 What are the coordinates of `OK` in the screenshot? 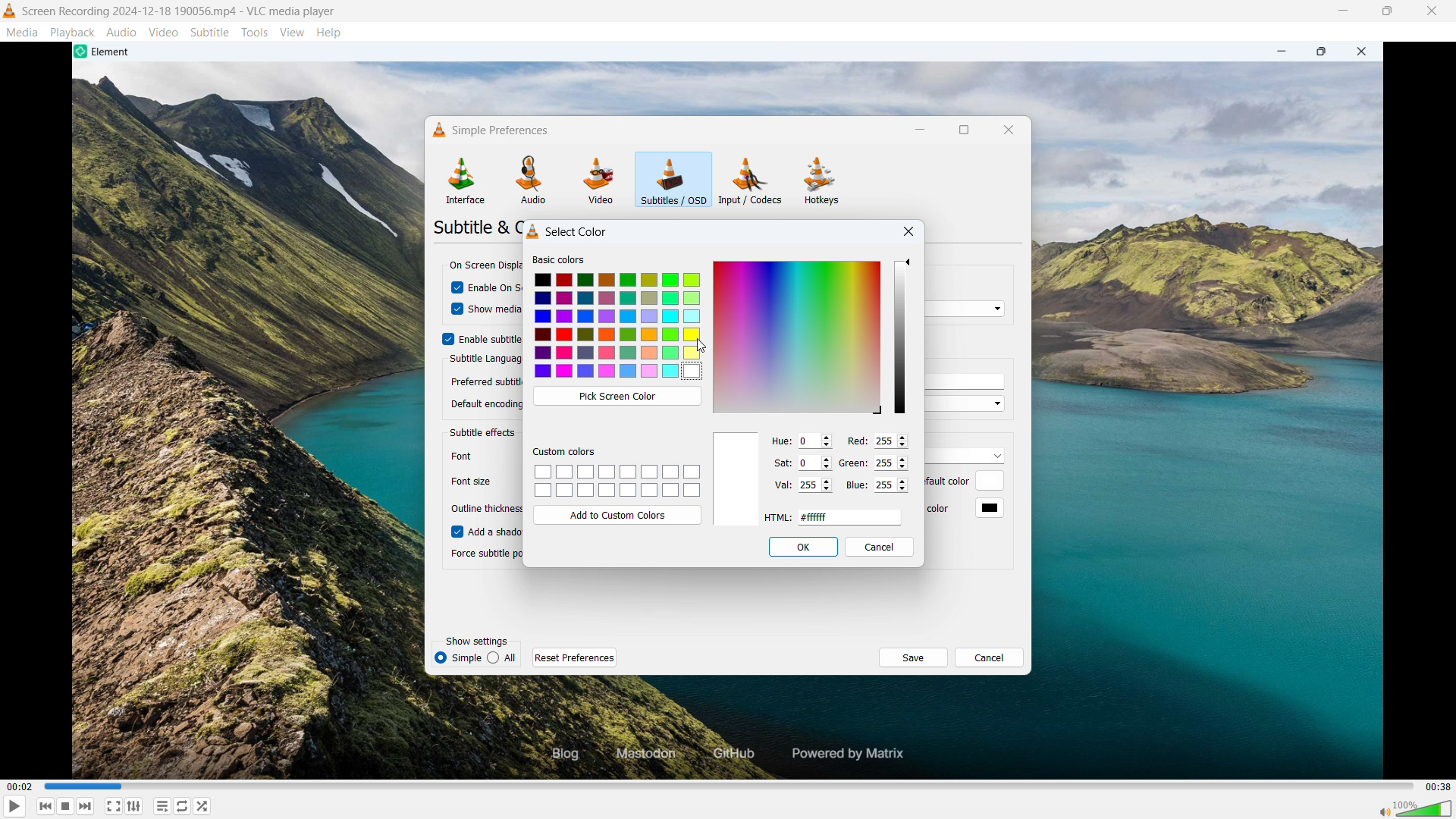 It's located at (804, 546).